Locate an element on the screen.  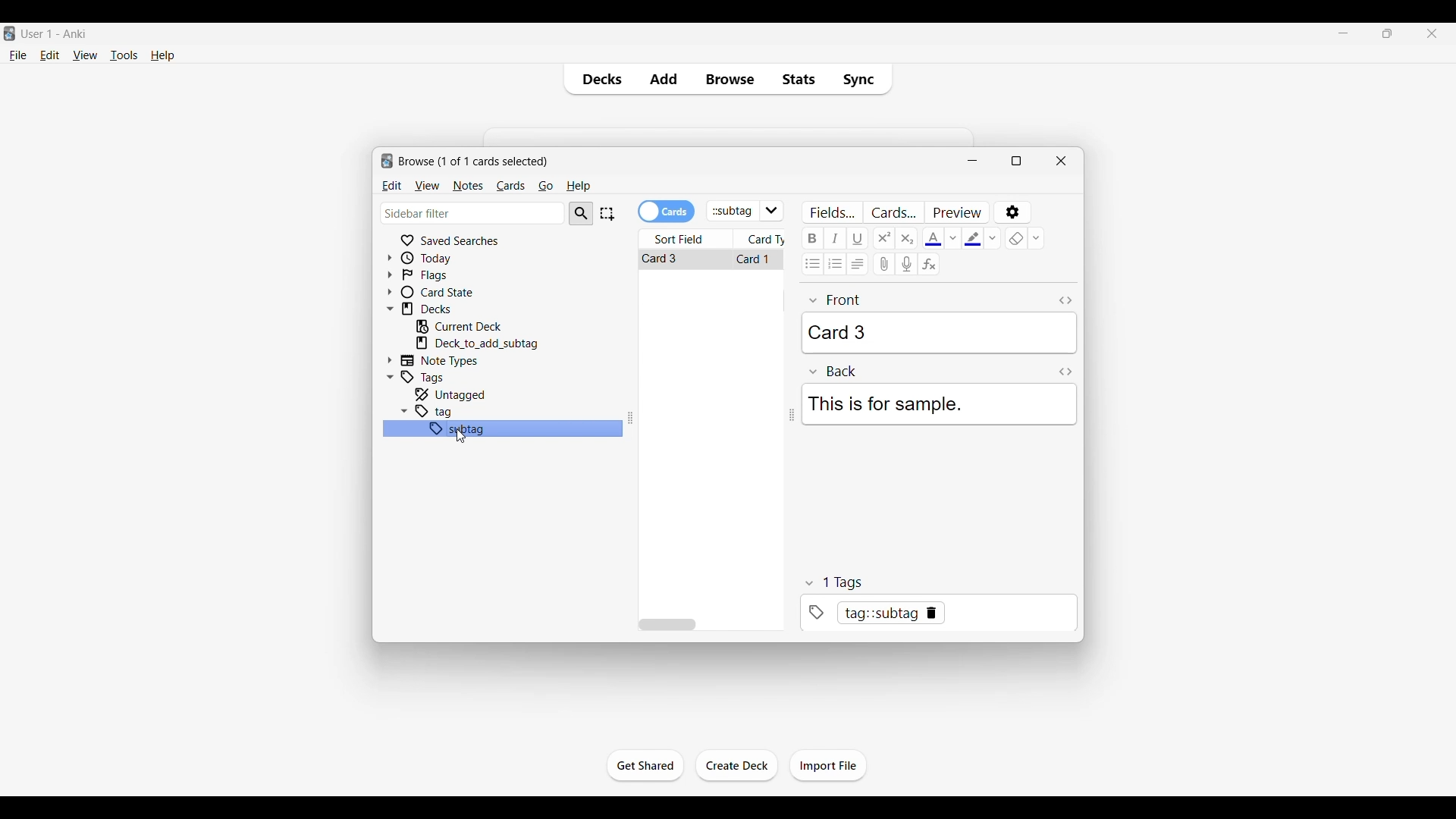
Customize fields is located at coordinates (833, 212).